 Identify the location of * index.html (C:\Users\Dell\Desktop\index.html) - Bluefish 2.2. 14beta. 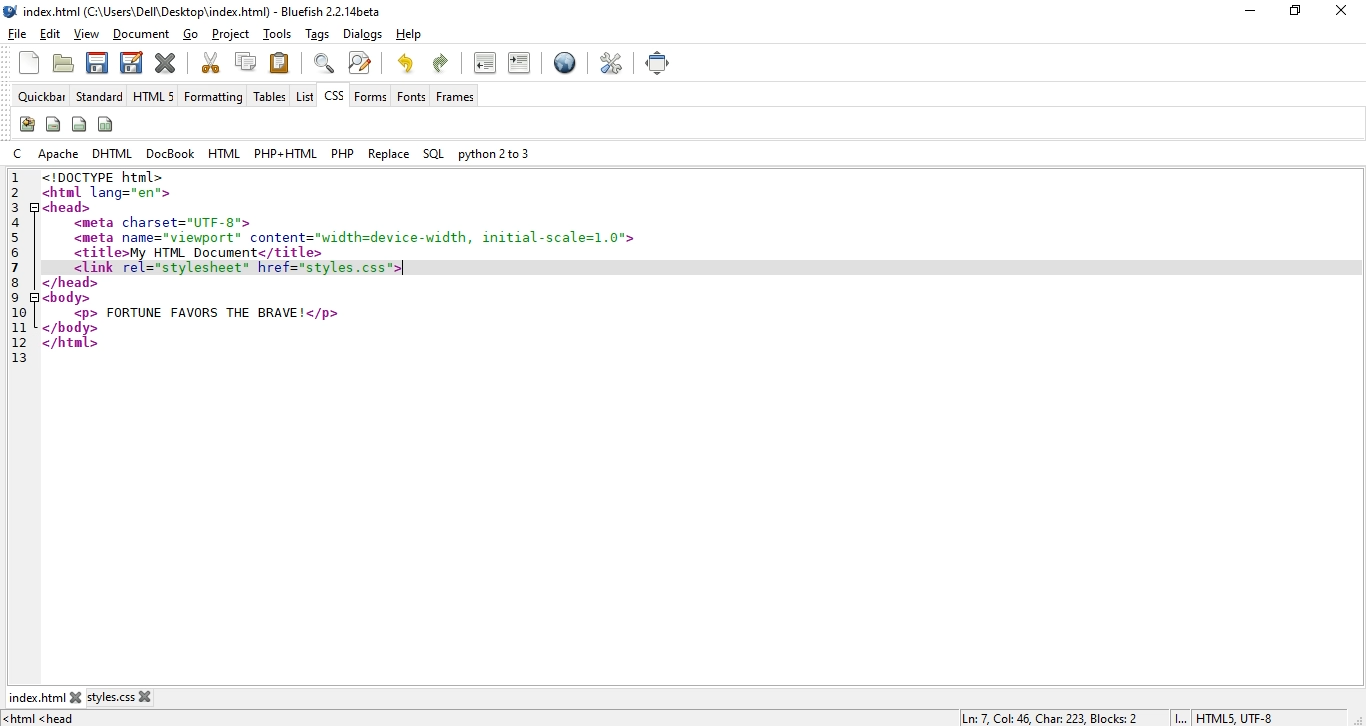
(211, 12).